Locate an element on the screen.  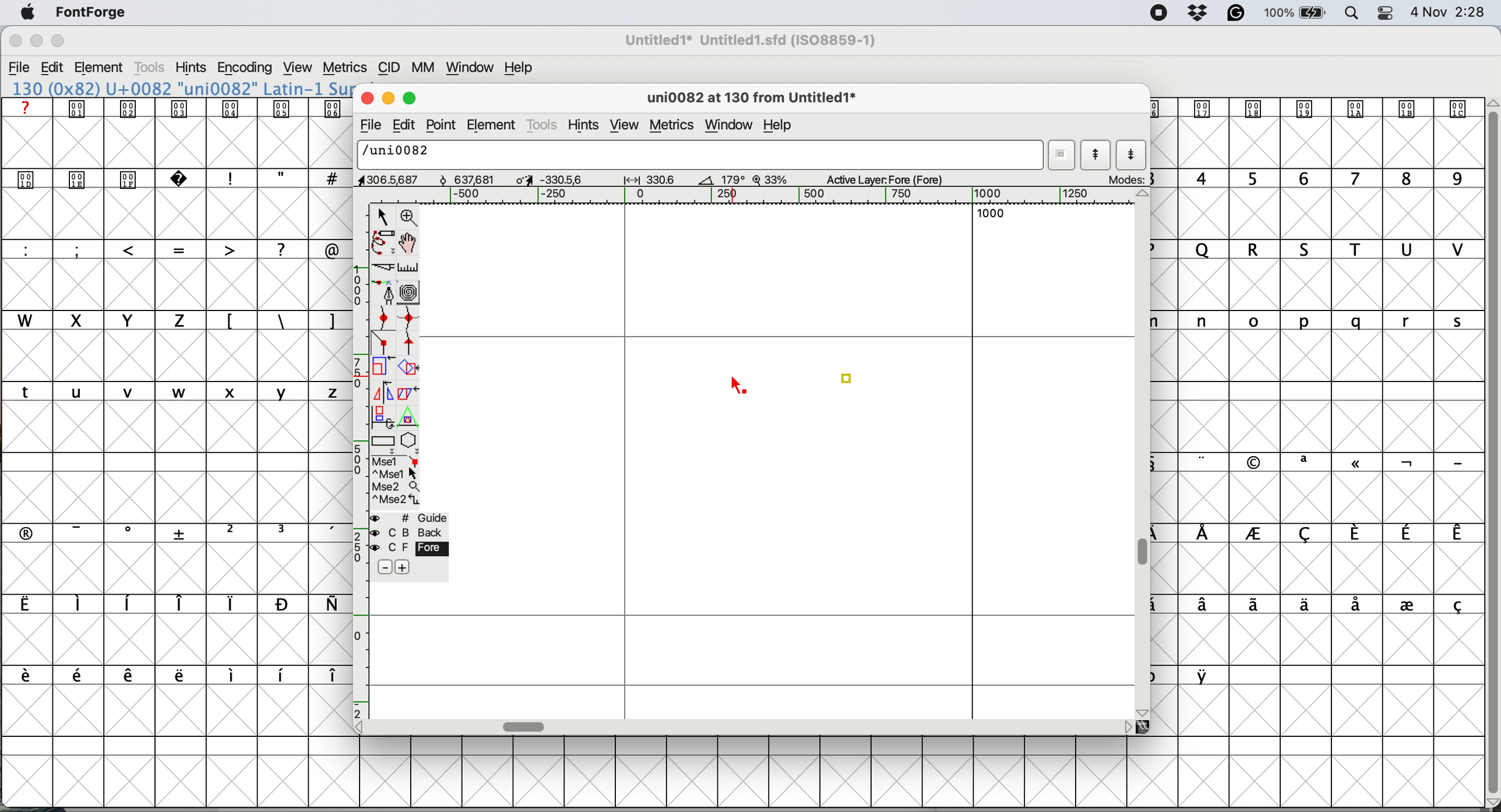
Date and Time is located at coordinates (1453, 12).